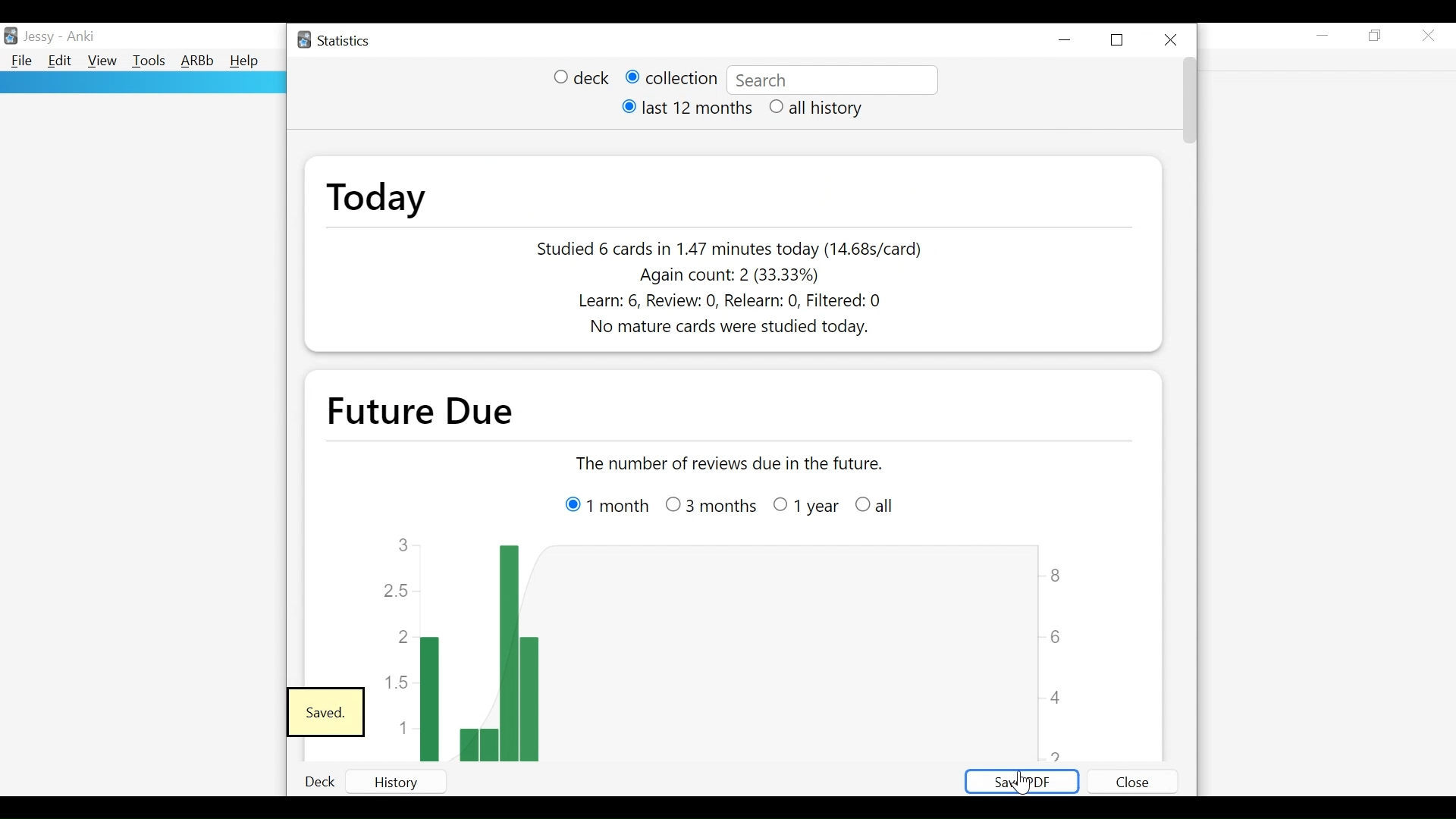  I want to click on history, so click(411, 780).